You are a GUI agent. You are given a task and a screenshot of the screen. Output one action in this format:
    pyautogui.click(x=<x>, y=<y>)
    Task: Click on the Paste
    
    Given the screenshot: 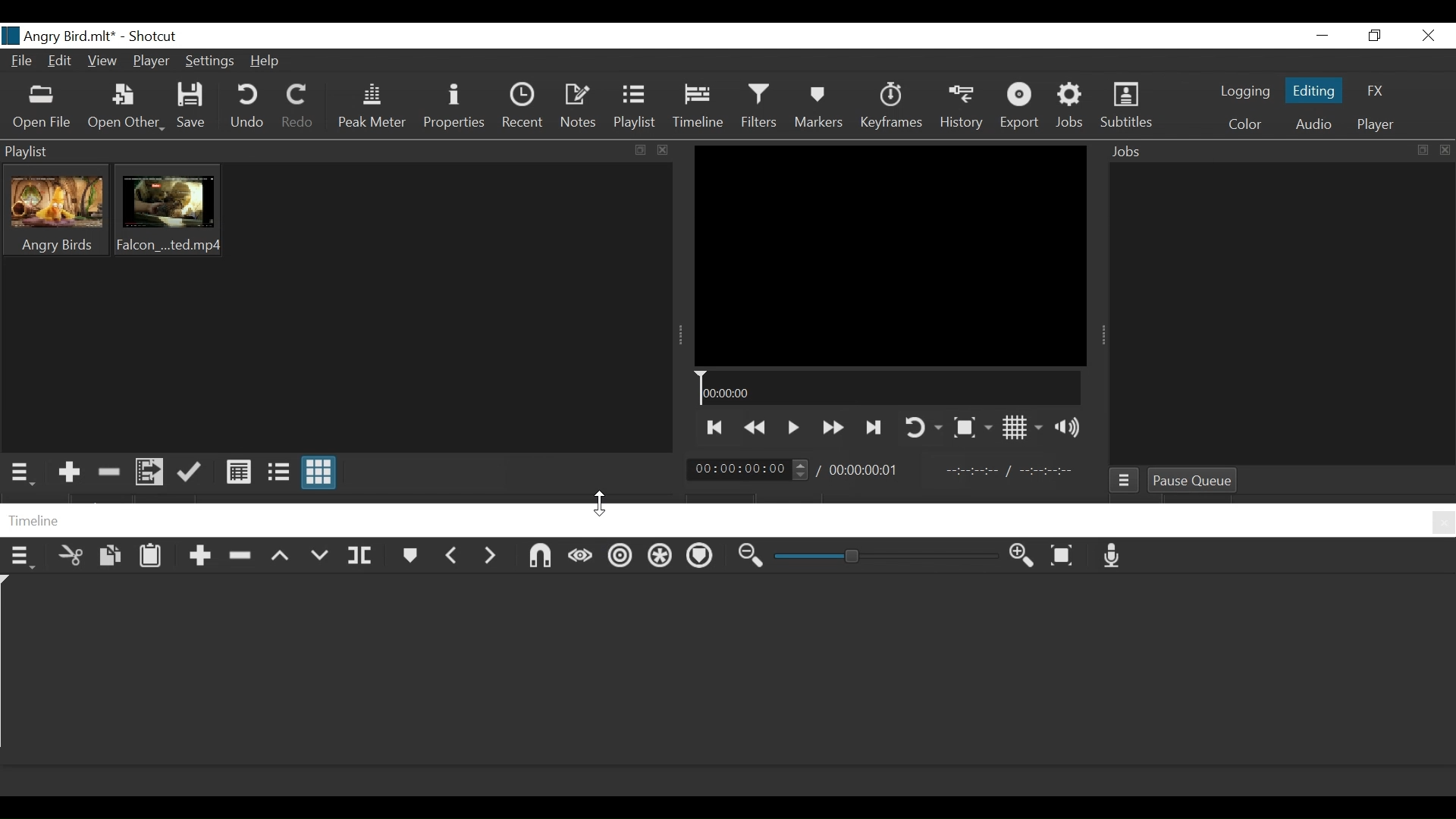 What is the action you would take?
    pyautogui.click(x=152, y=557)
    